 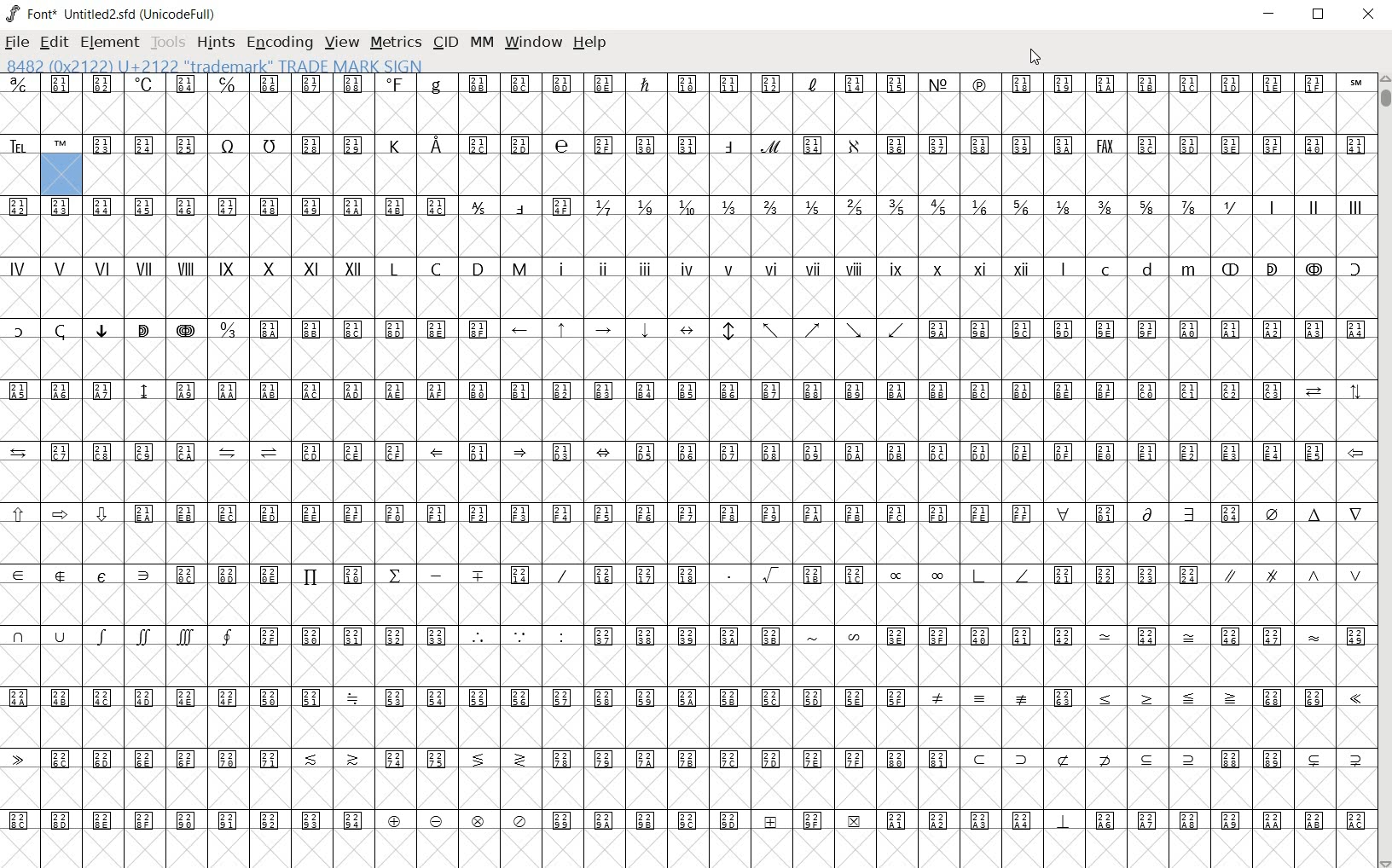 What do you see at coordinates (1035, 55) in the screenshot?
I see `CURSOR` at bounding box center [1035, 55].